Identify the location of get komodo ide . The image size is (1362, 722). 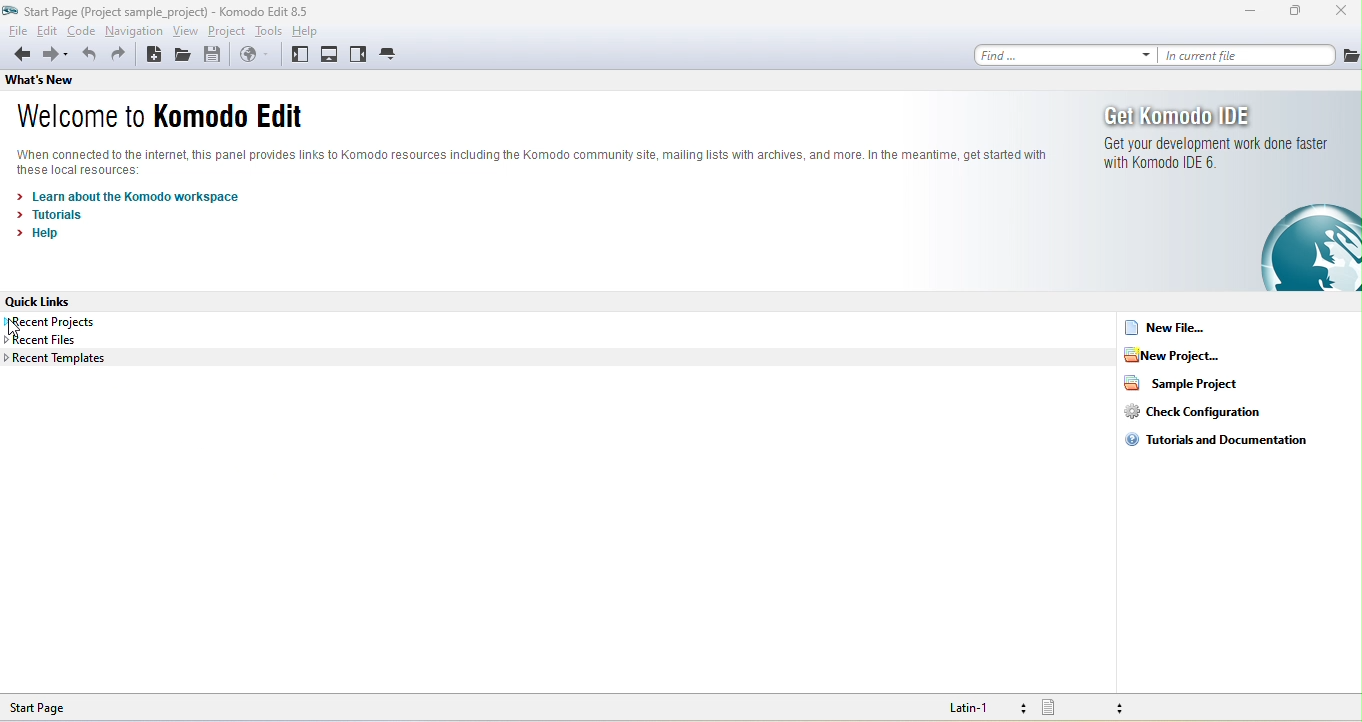
(1232, 194).